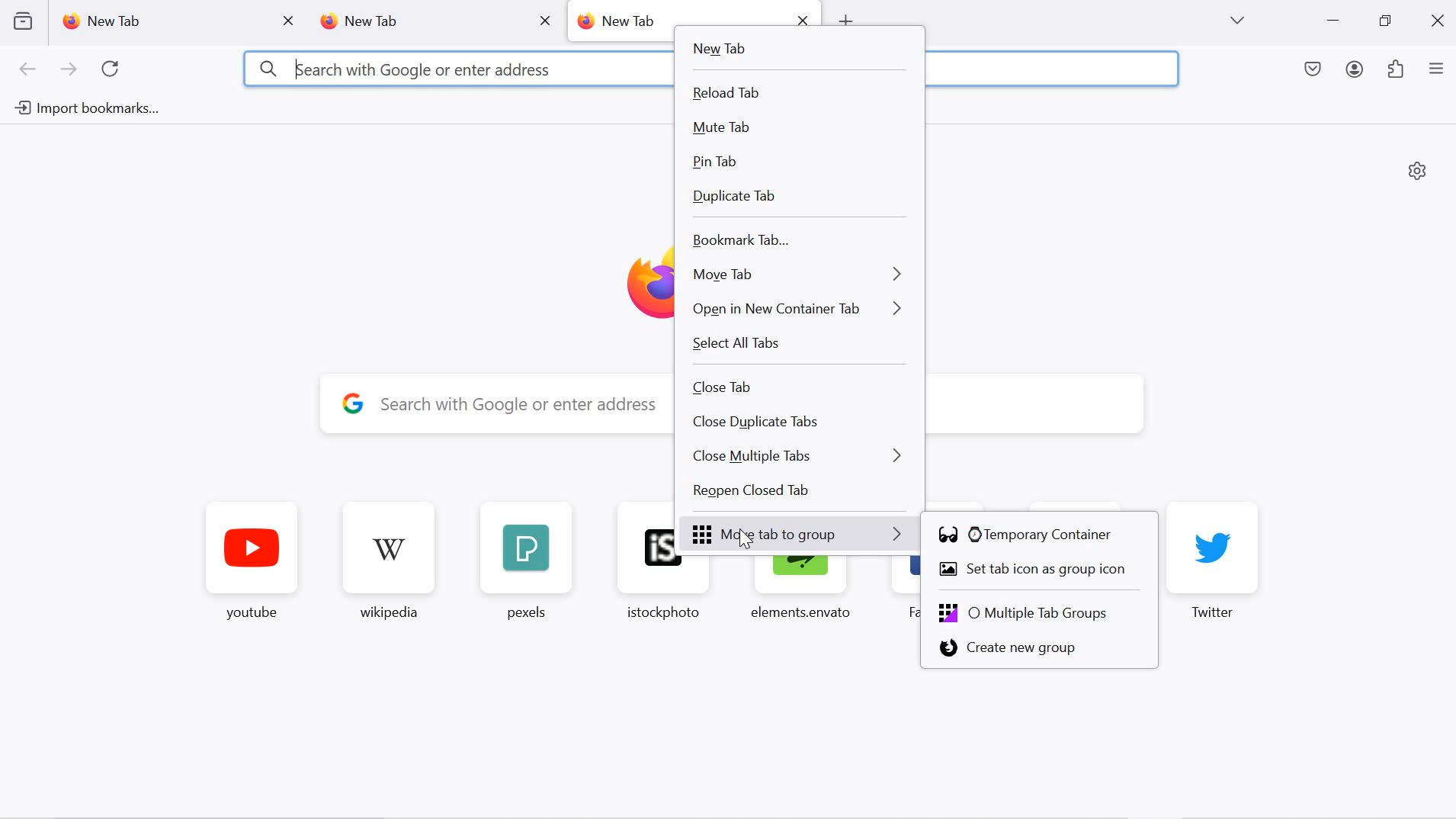  What do you see at coordinates (1436, 70) in the screenshot?
I see `application menu` at bounding box center [1436, 70].